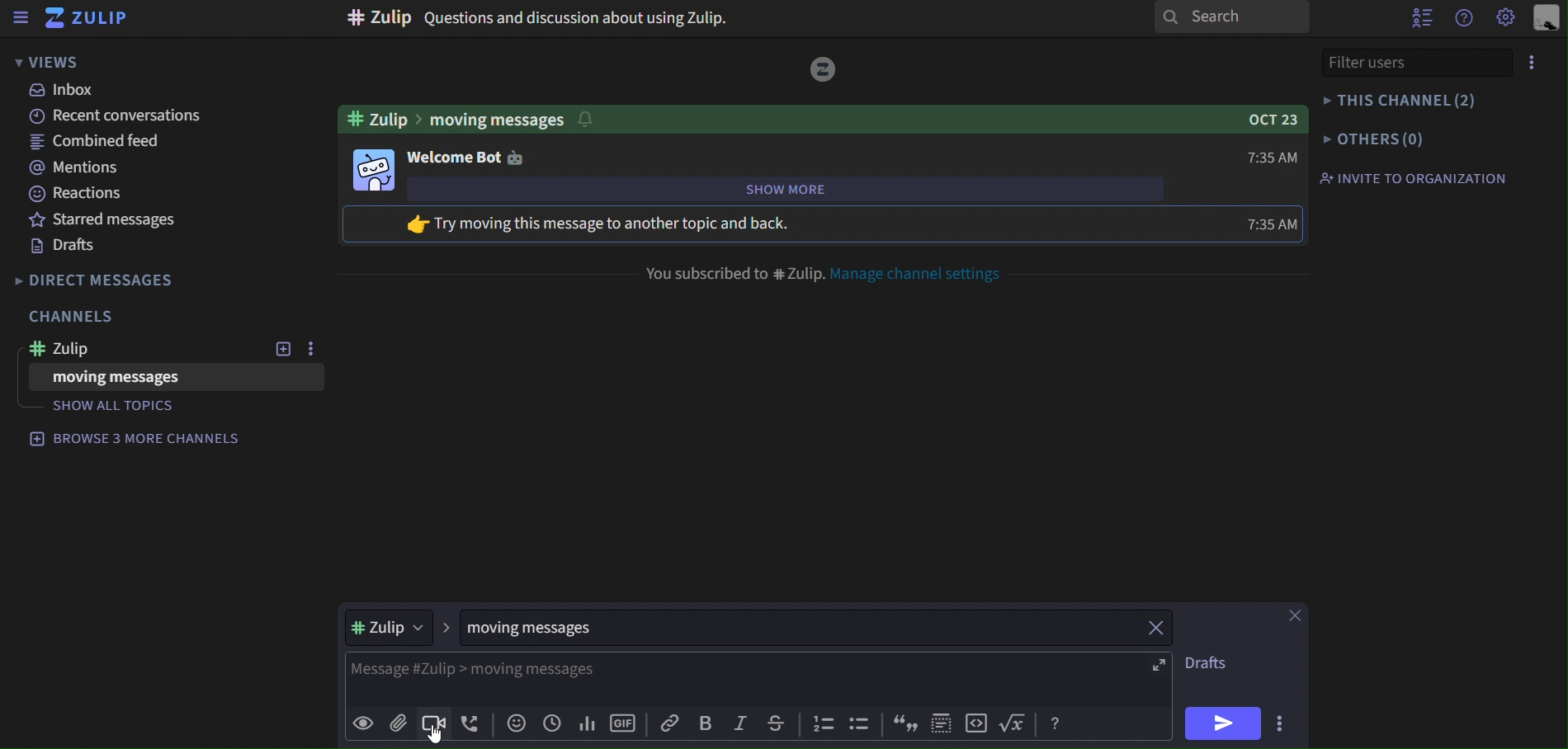 This screenshot has height=749, width=1568. I want to click on browse 4 more channels, so click(137, 437).